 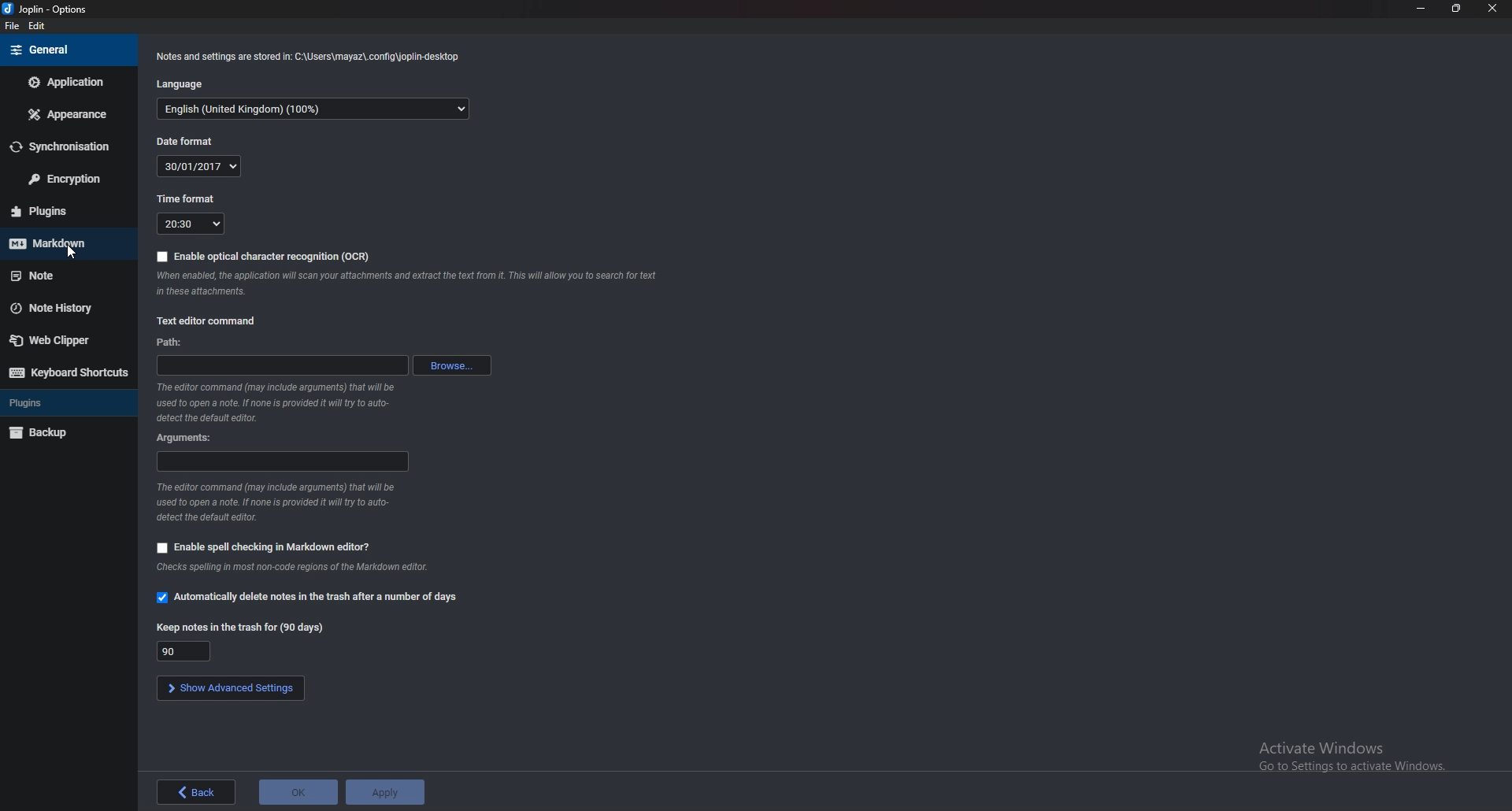 I want to click on path, so click(x=175, y=343).